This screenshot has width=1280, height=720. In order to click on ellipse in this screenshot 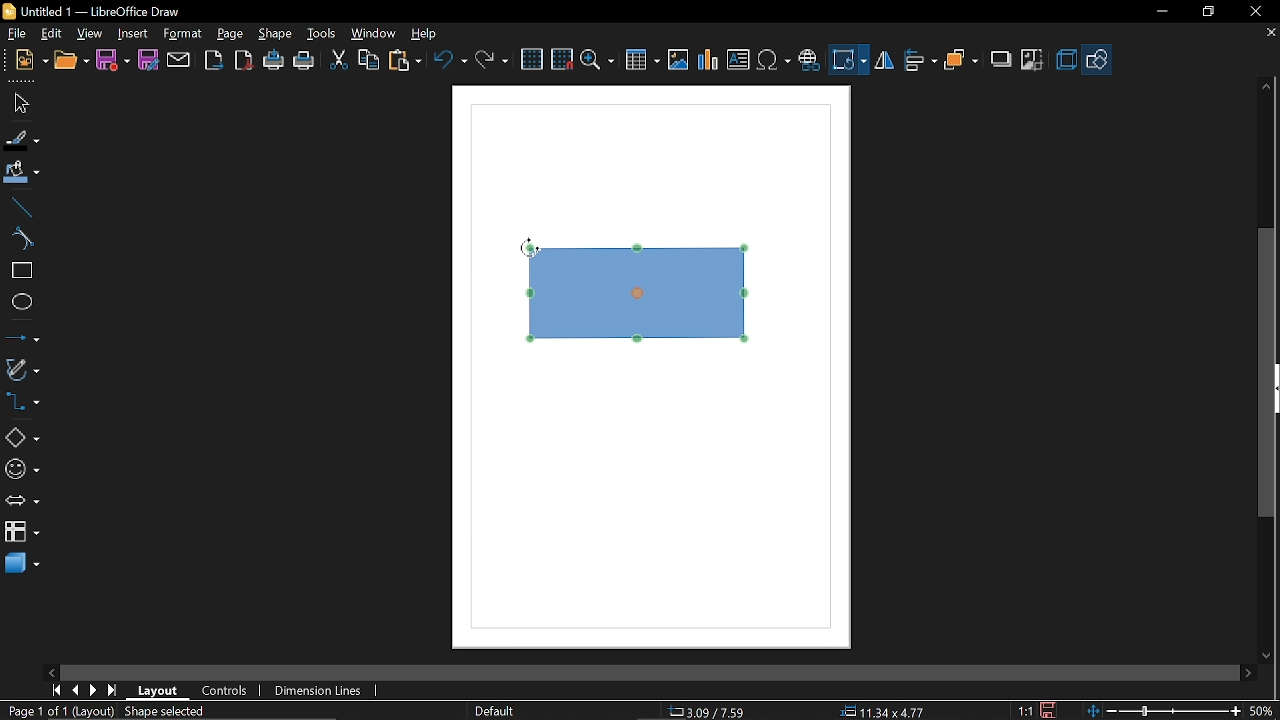, I will do `click(21, 304)`.